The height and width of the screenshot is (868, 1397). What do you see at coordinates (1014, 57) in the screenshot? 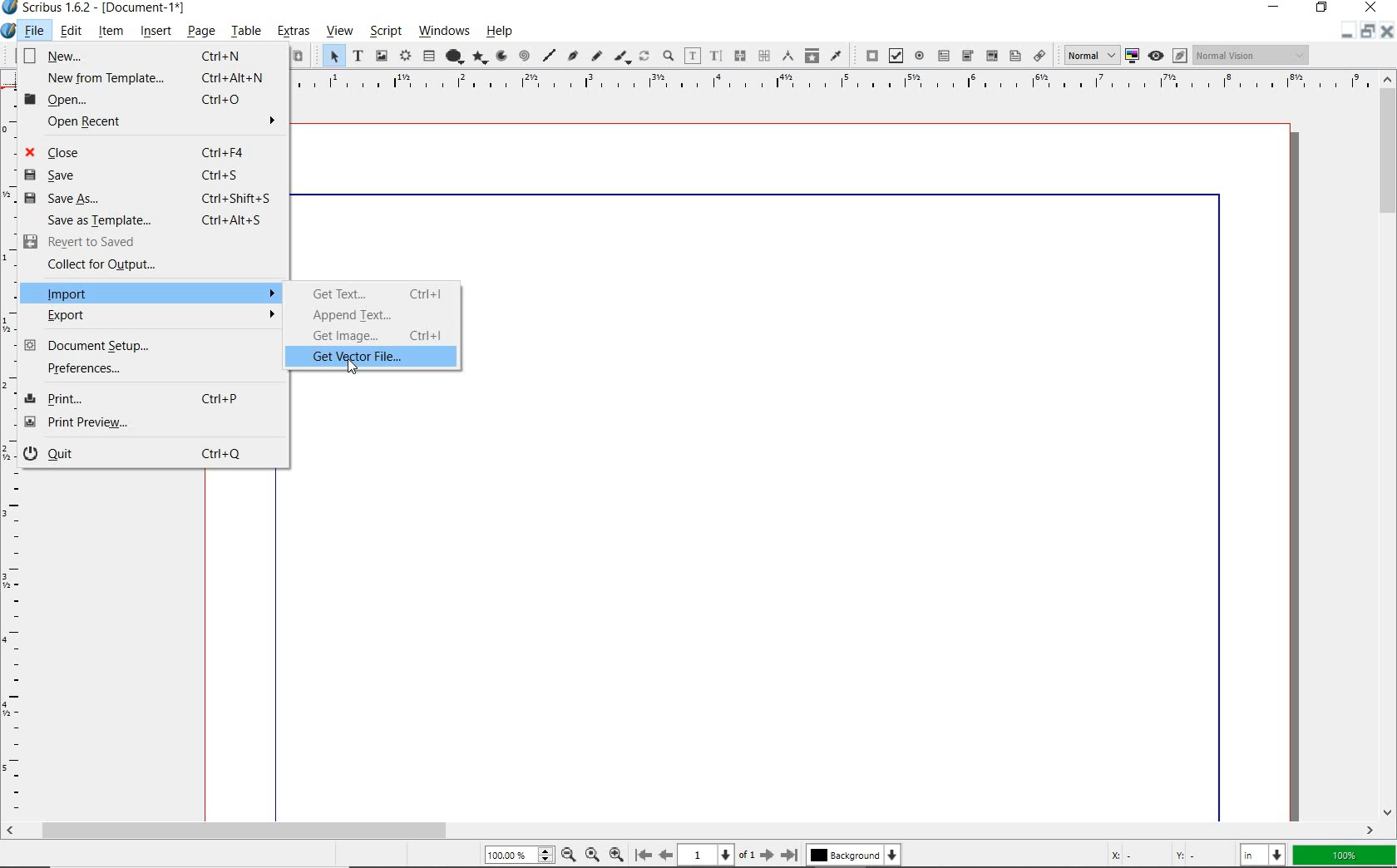
I see `pdf list box` at bounding box center [1014, 57].